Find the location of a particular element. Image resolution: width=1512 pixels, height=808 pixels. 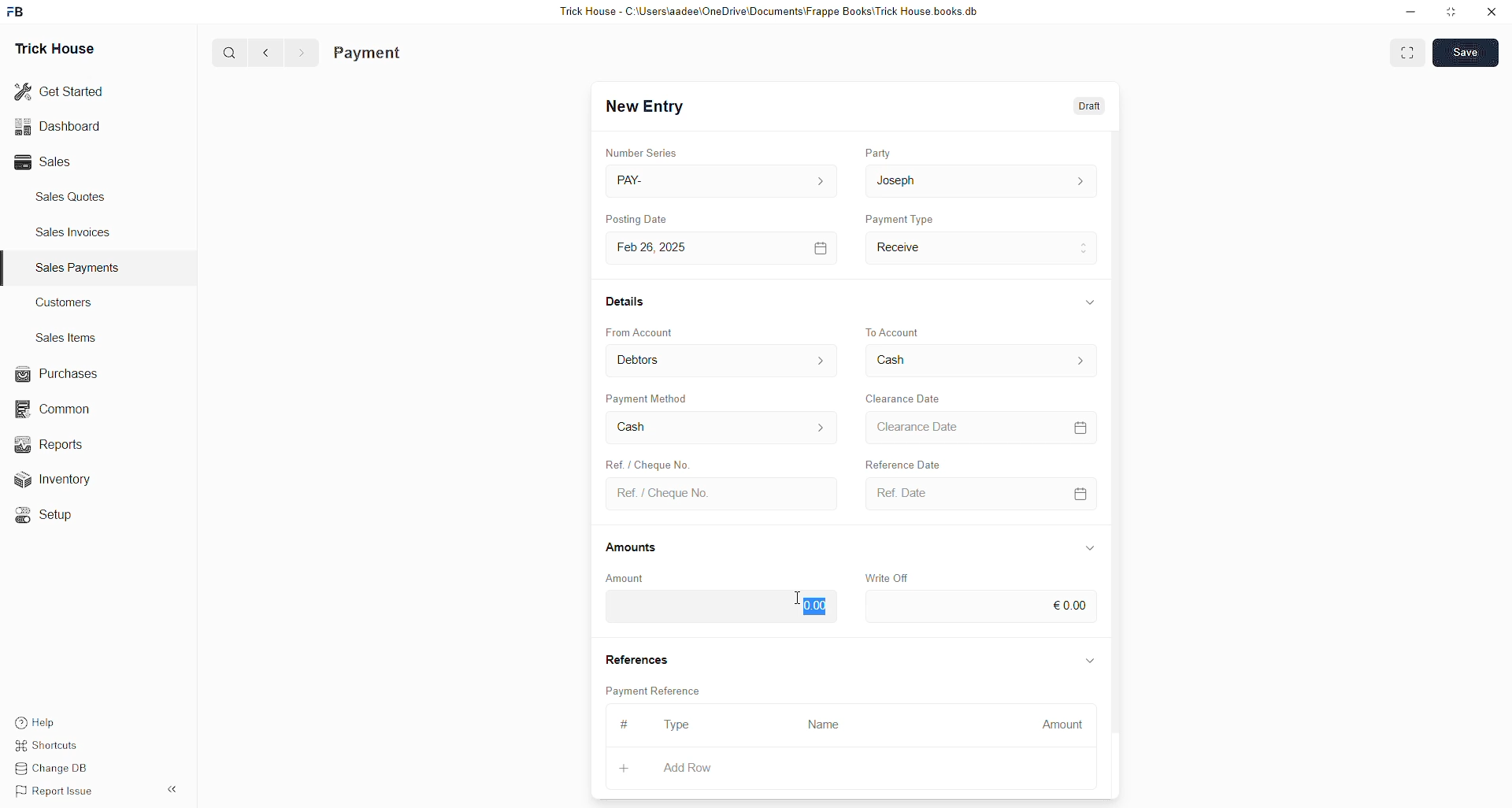

Ref. / Cheque No. is located at coordinates (724, 495).